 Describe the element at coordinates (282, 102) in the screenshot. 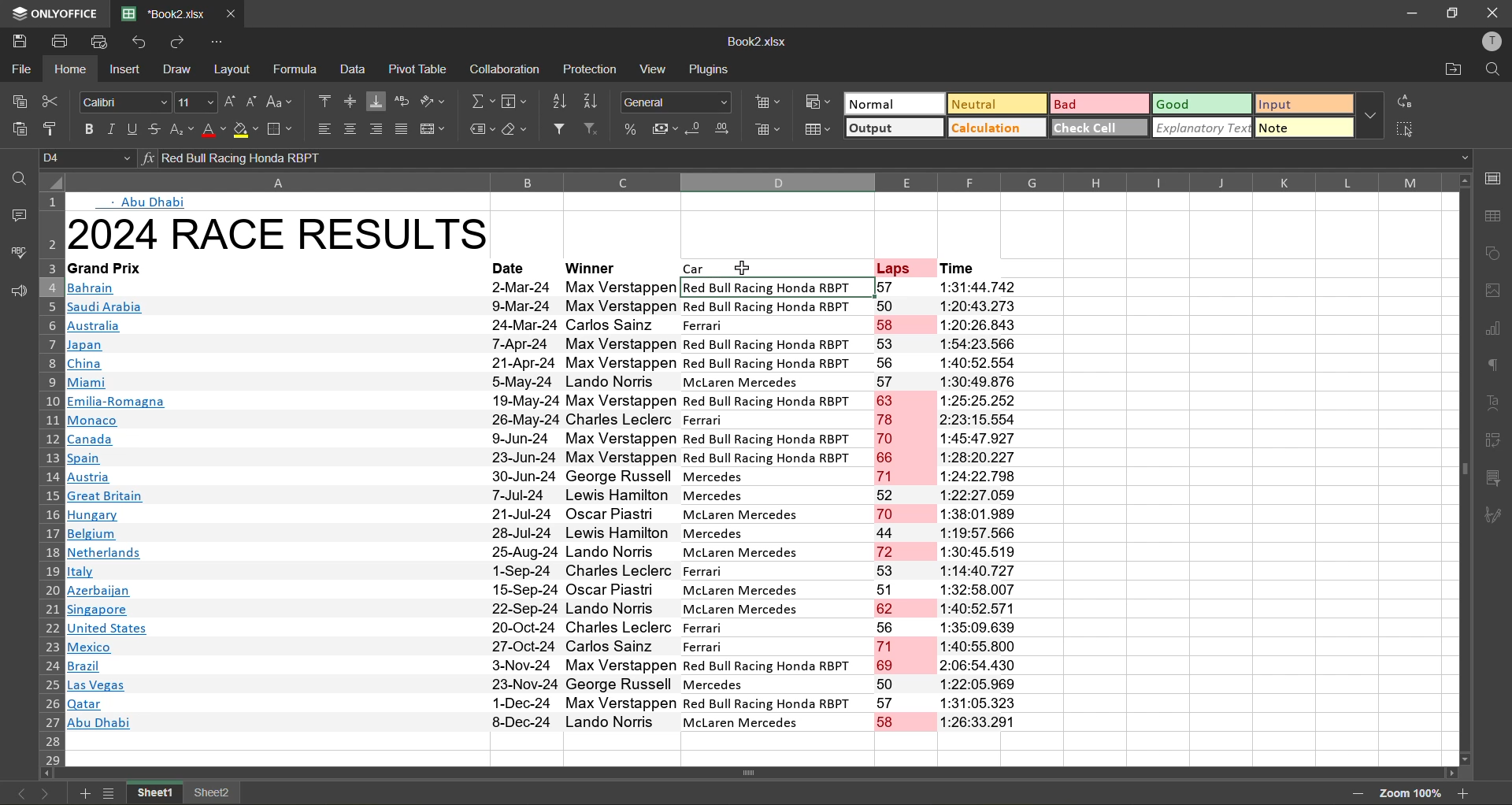

I see `change case` at that location.